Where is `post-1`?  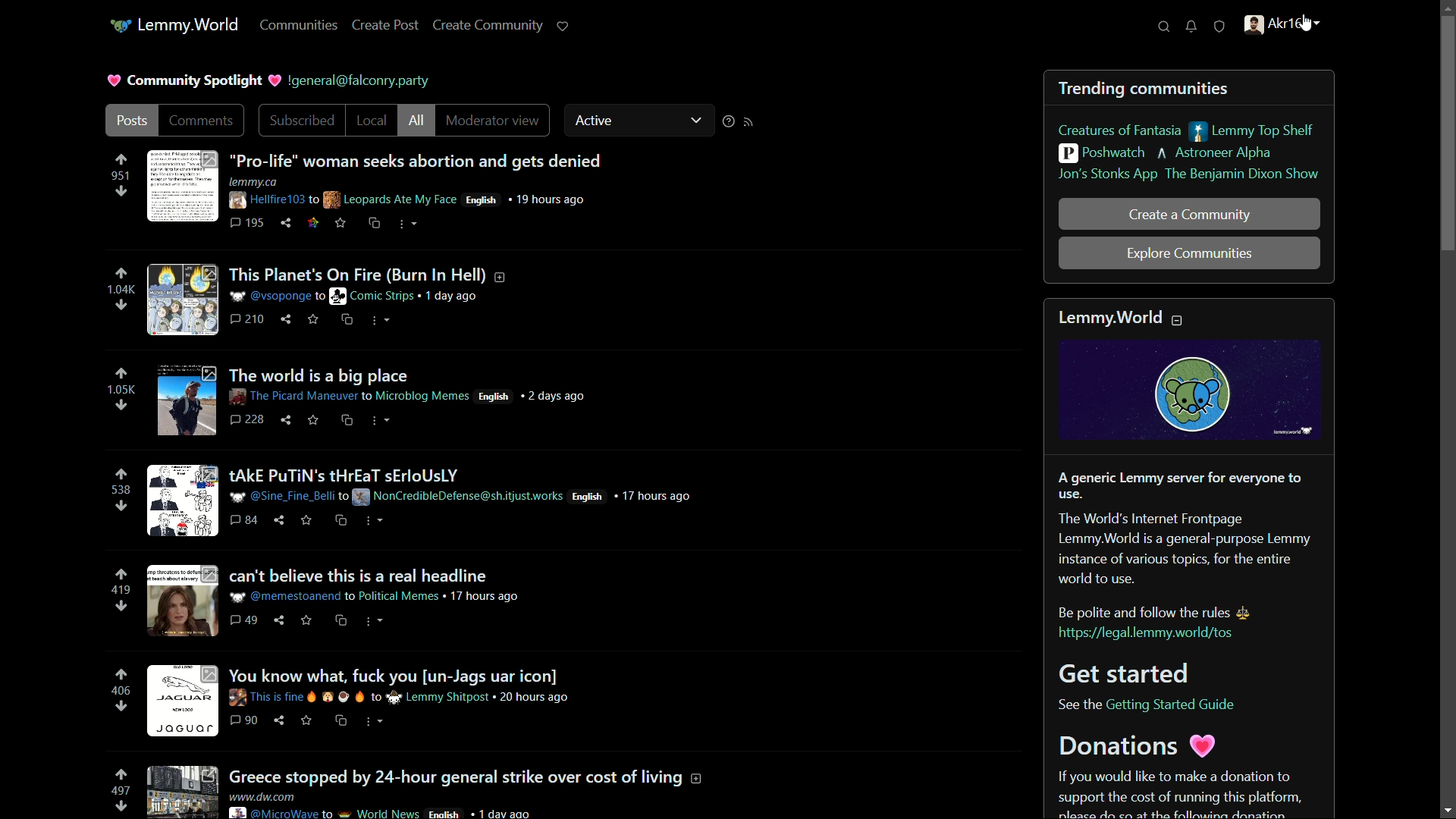 post-1 is located at coordinates (375, 188).